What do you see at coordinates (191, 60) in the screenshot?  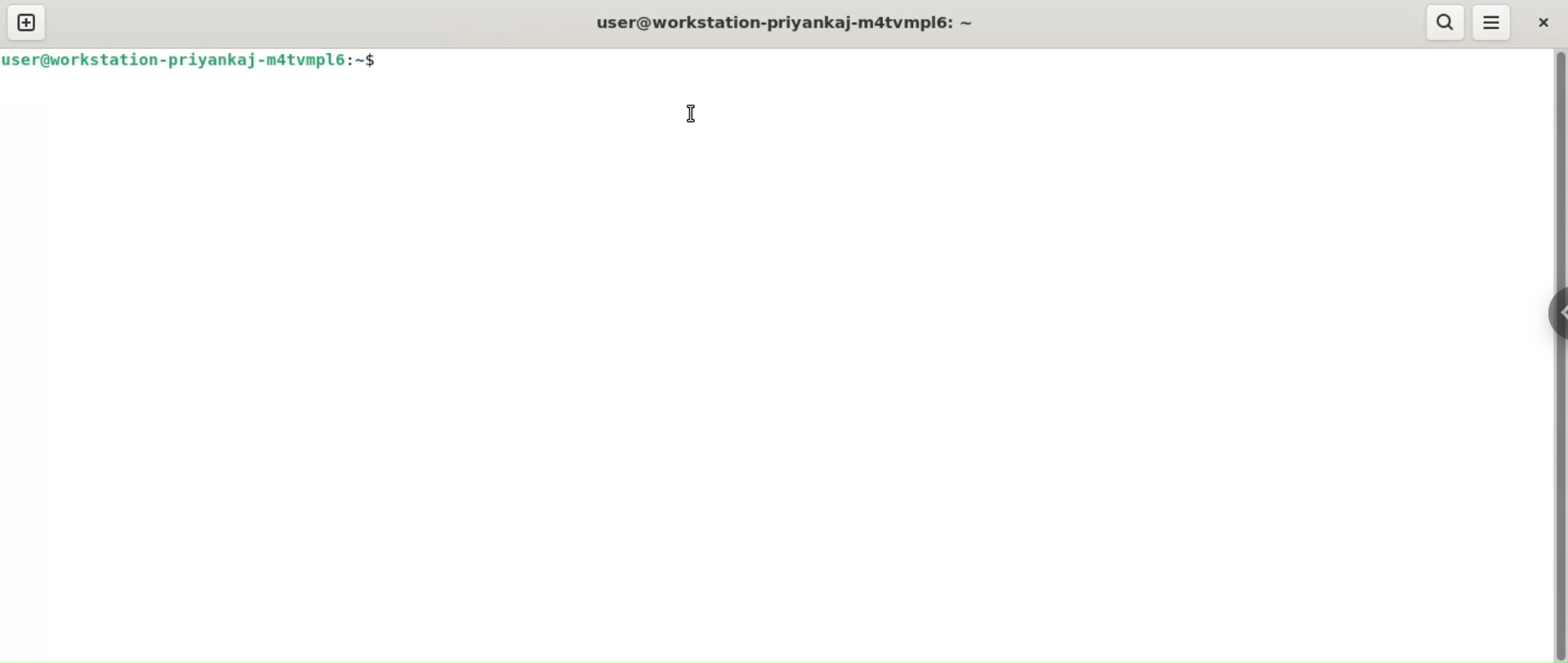 I see `user@workstation-priyankaj-m4tvmplé:~$` at bounding box center [191, 60].